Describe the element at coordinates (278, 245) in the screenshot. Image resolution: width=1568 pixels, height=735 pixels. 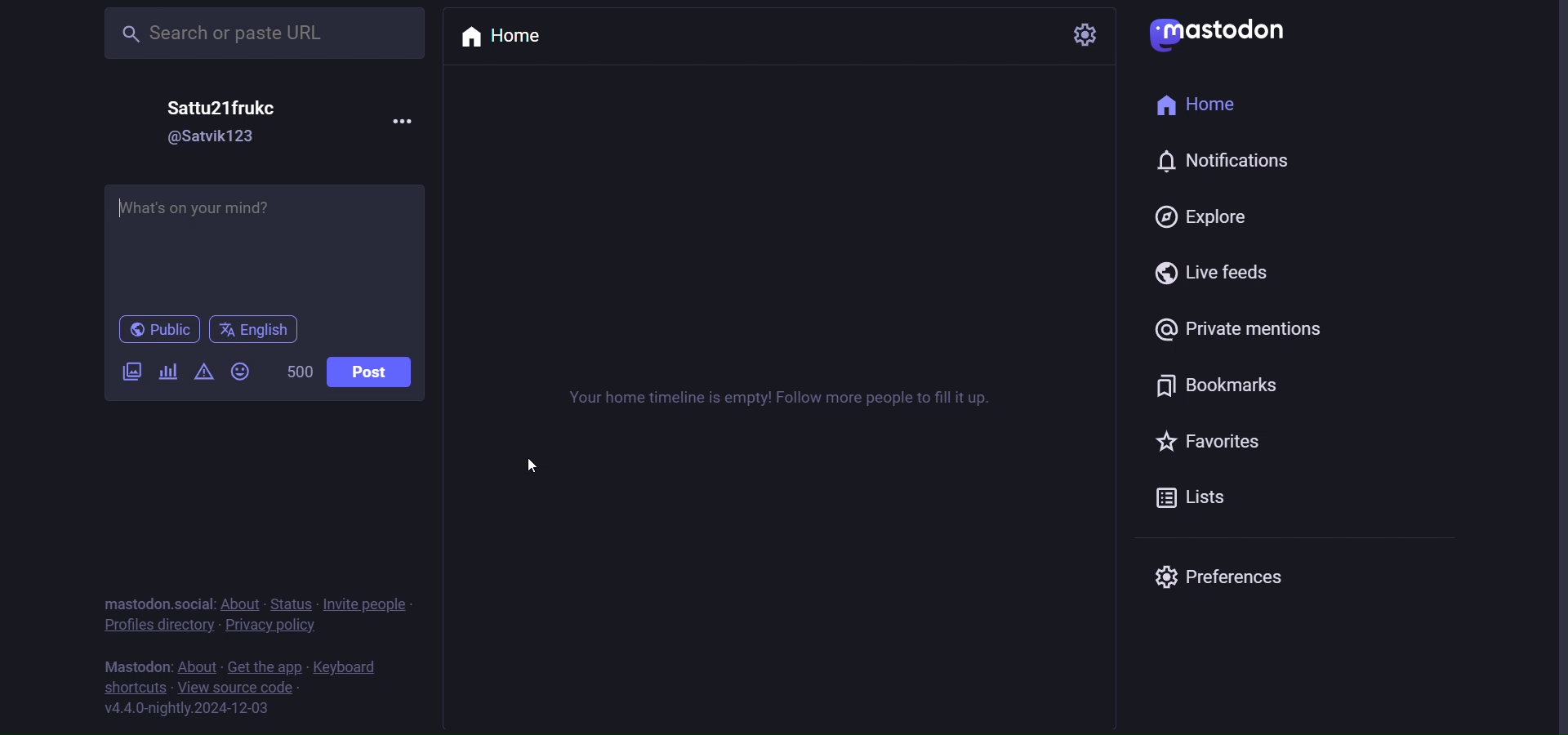
I see `write here` at that location.